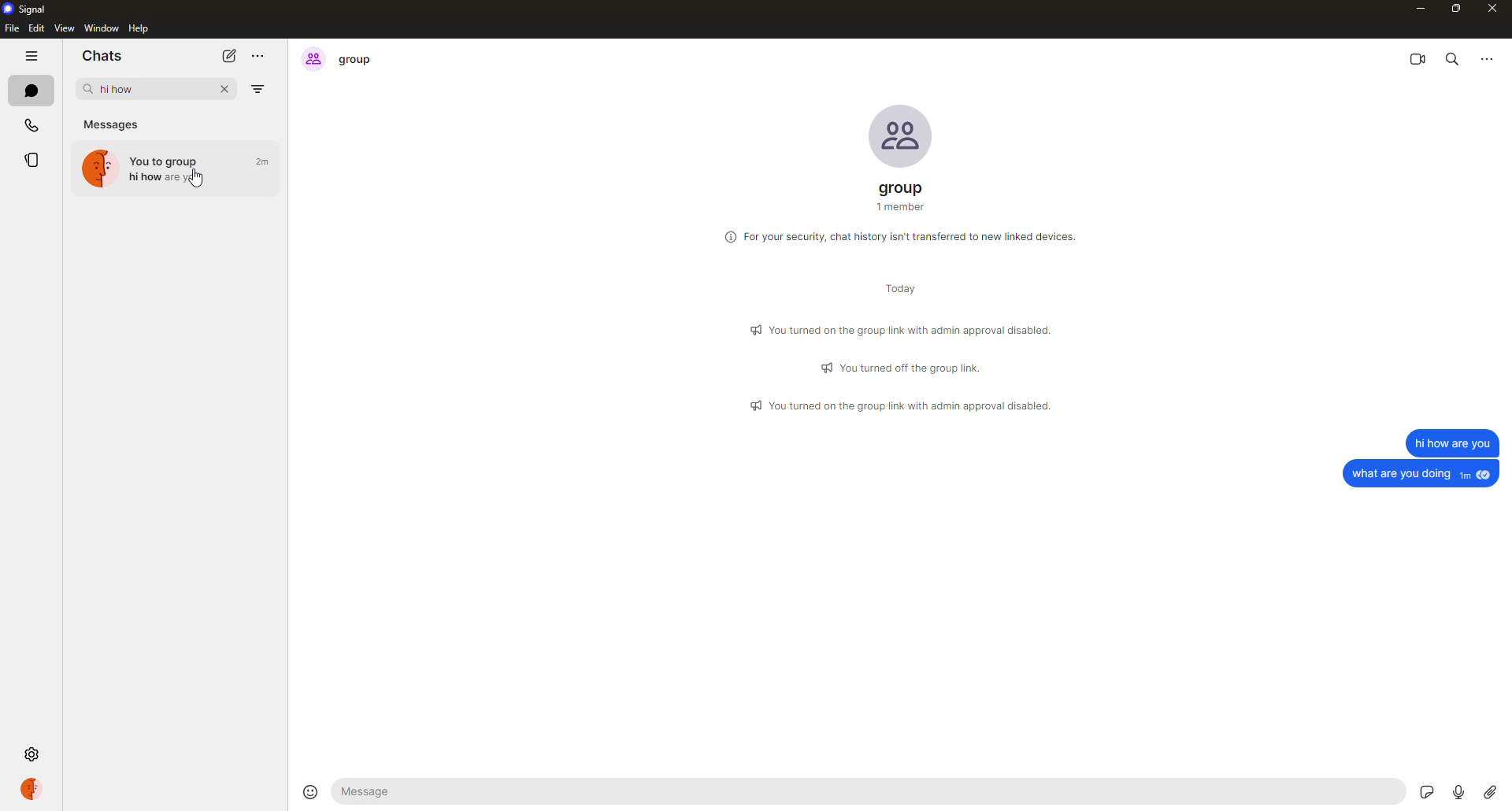  I want to click on stories, so click(33, 161).